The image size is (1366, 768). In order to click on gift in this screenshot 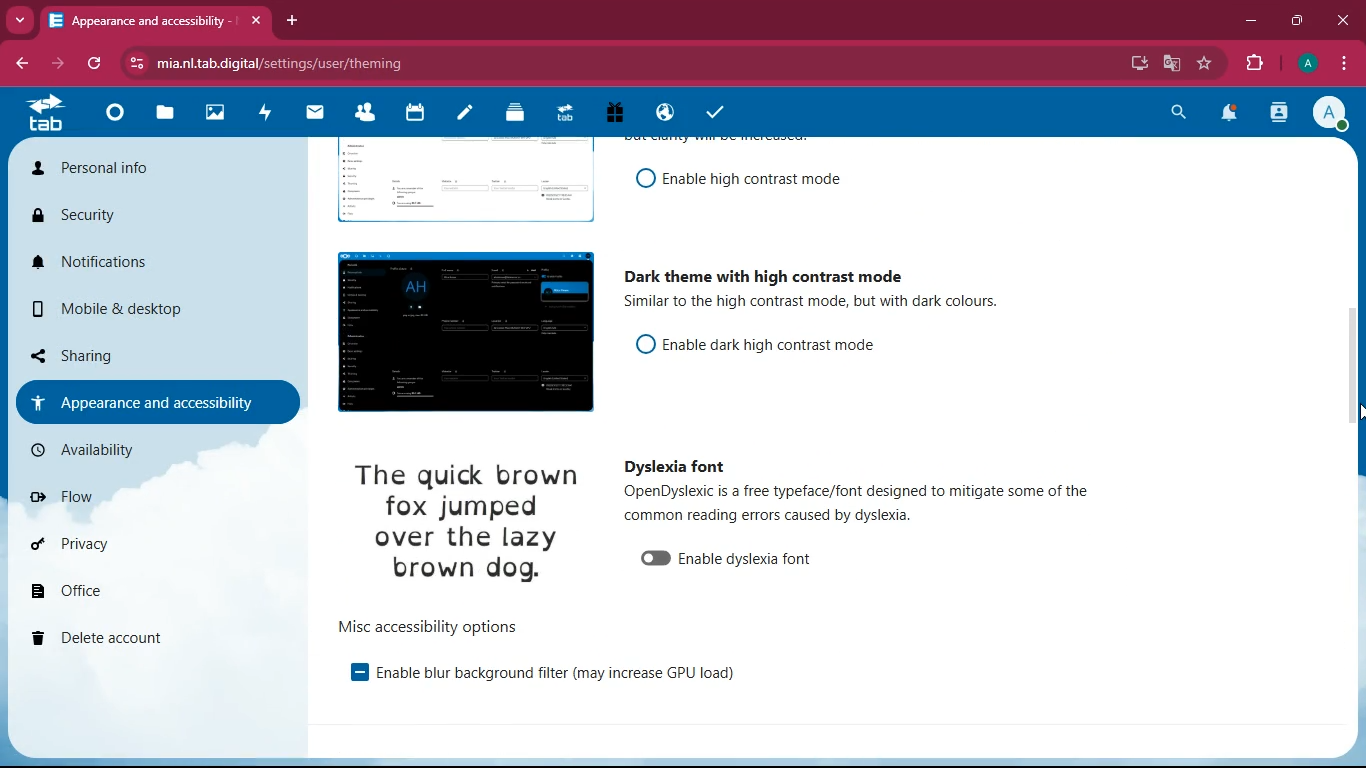, I will do `click(623, 113)`.